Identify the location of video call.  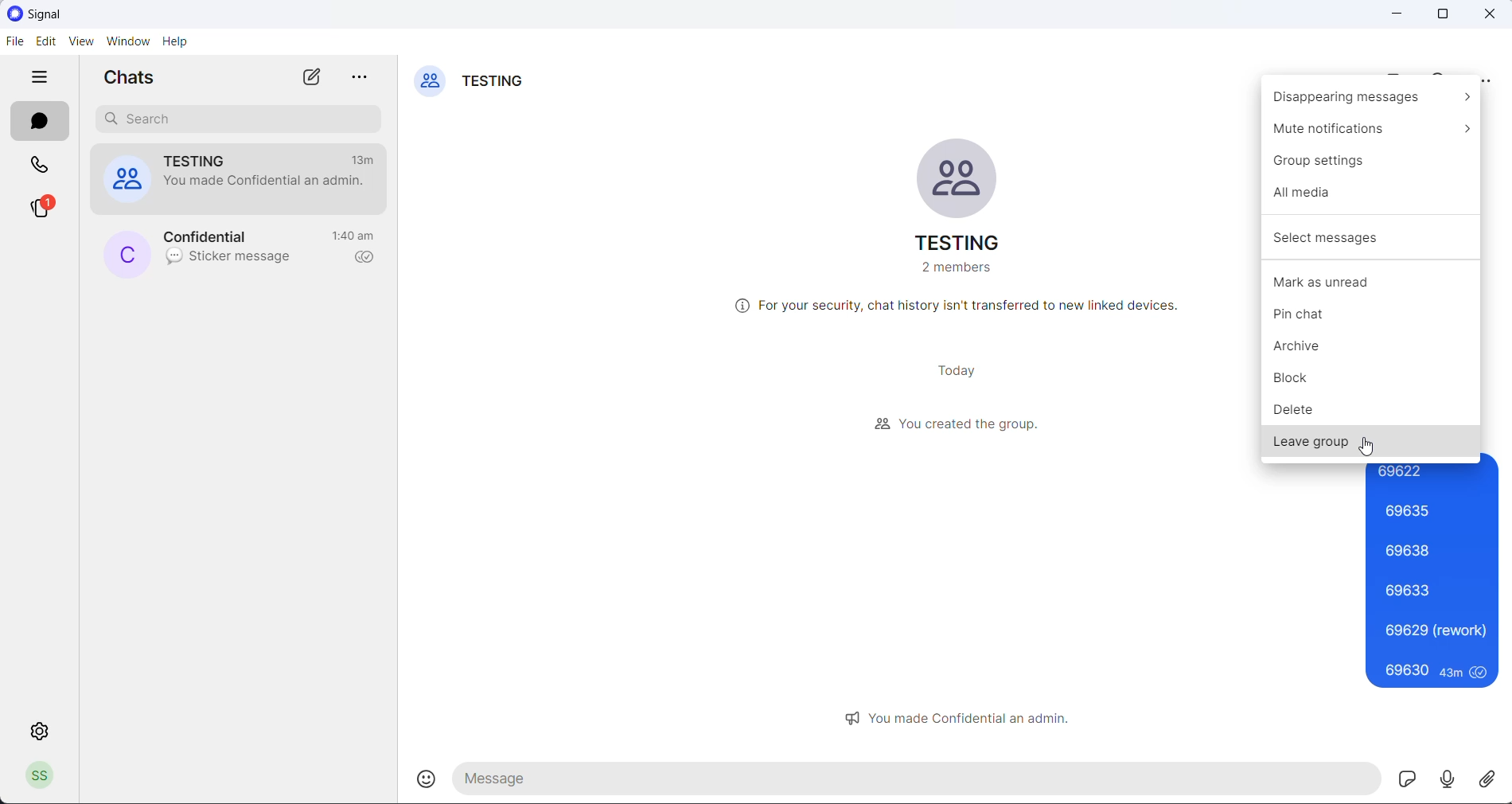
(1393, 73).